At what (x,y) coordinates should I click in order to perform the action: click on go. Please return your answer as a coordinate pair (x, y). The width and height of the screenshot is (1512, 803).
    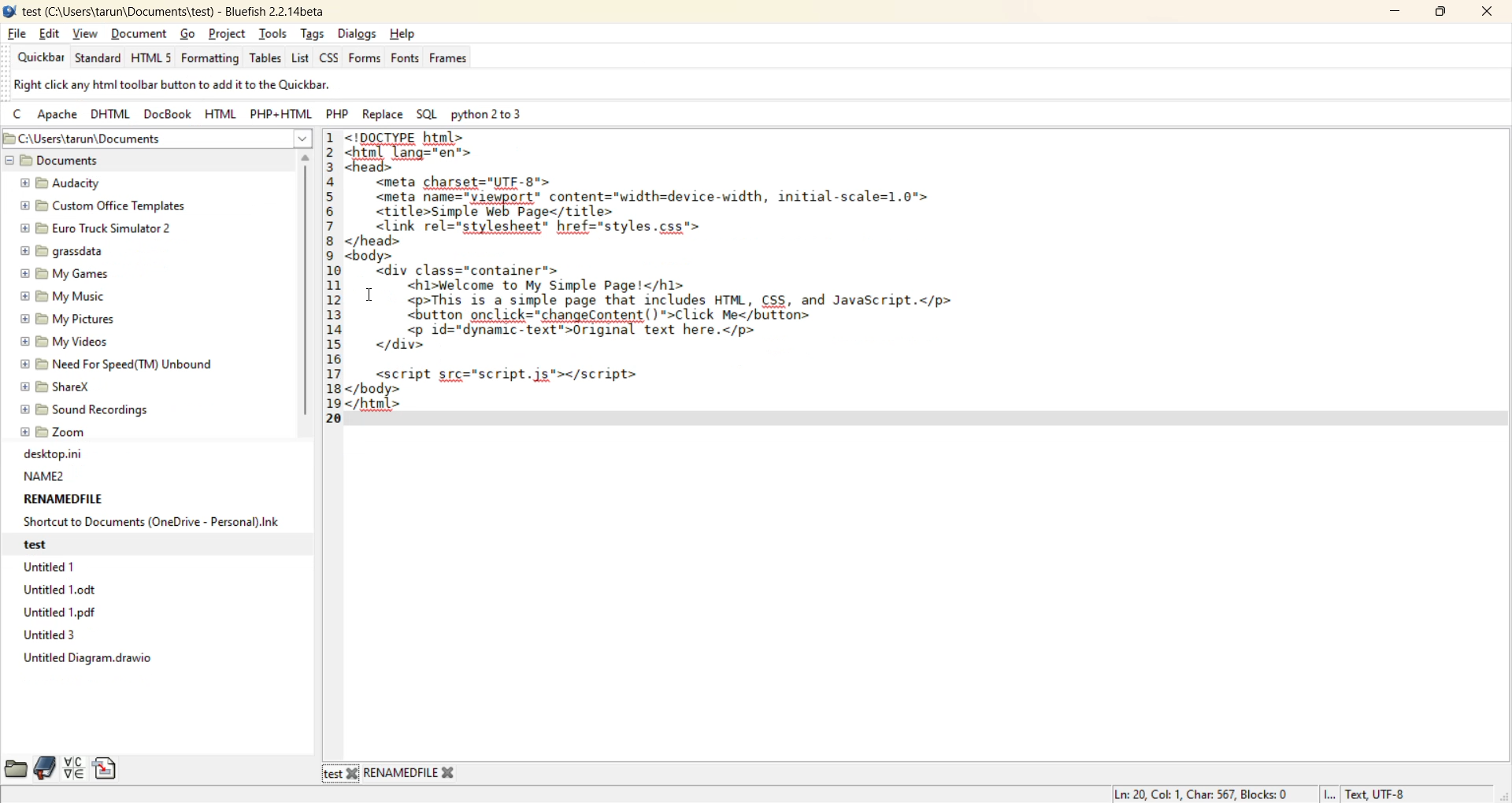
    Looking at the image, I should click on (190, 34).